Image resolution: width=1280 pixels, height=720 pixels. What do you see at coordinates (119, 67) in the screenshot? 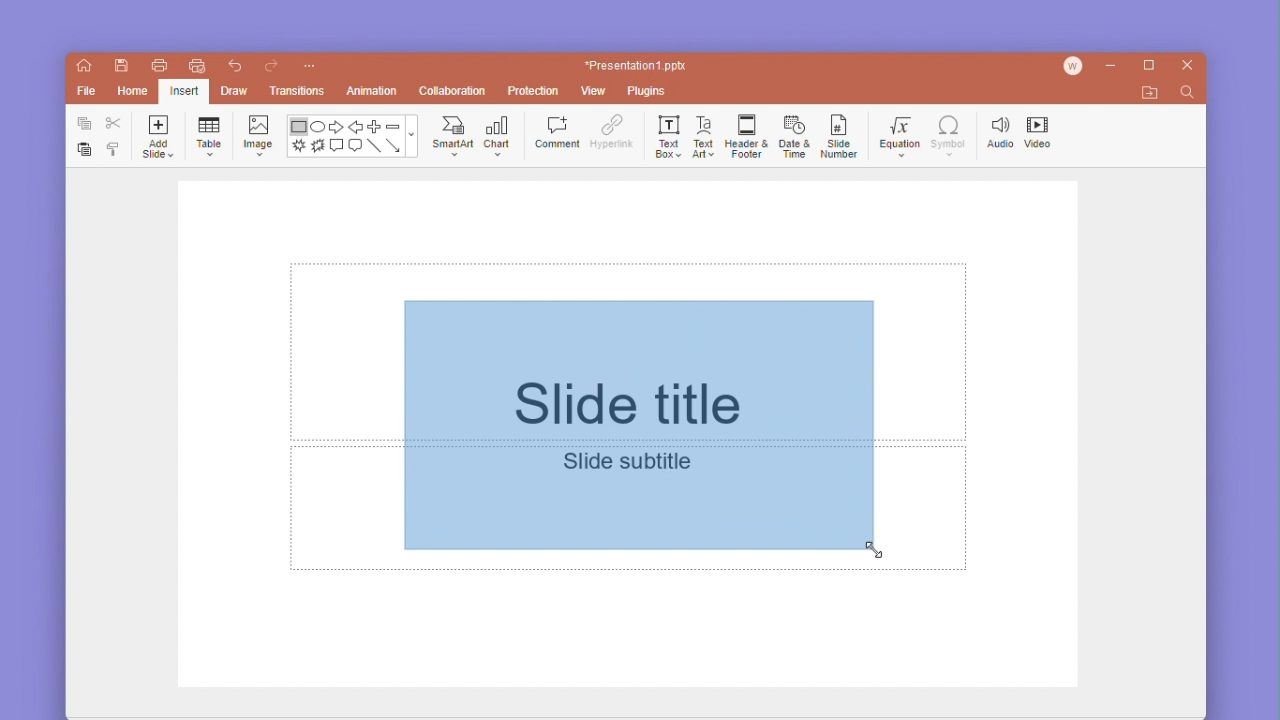
I see `save` at bounding box center [119, 67].